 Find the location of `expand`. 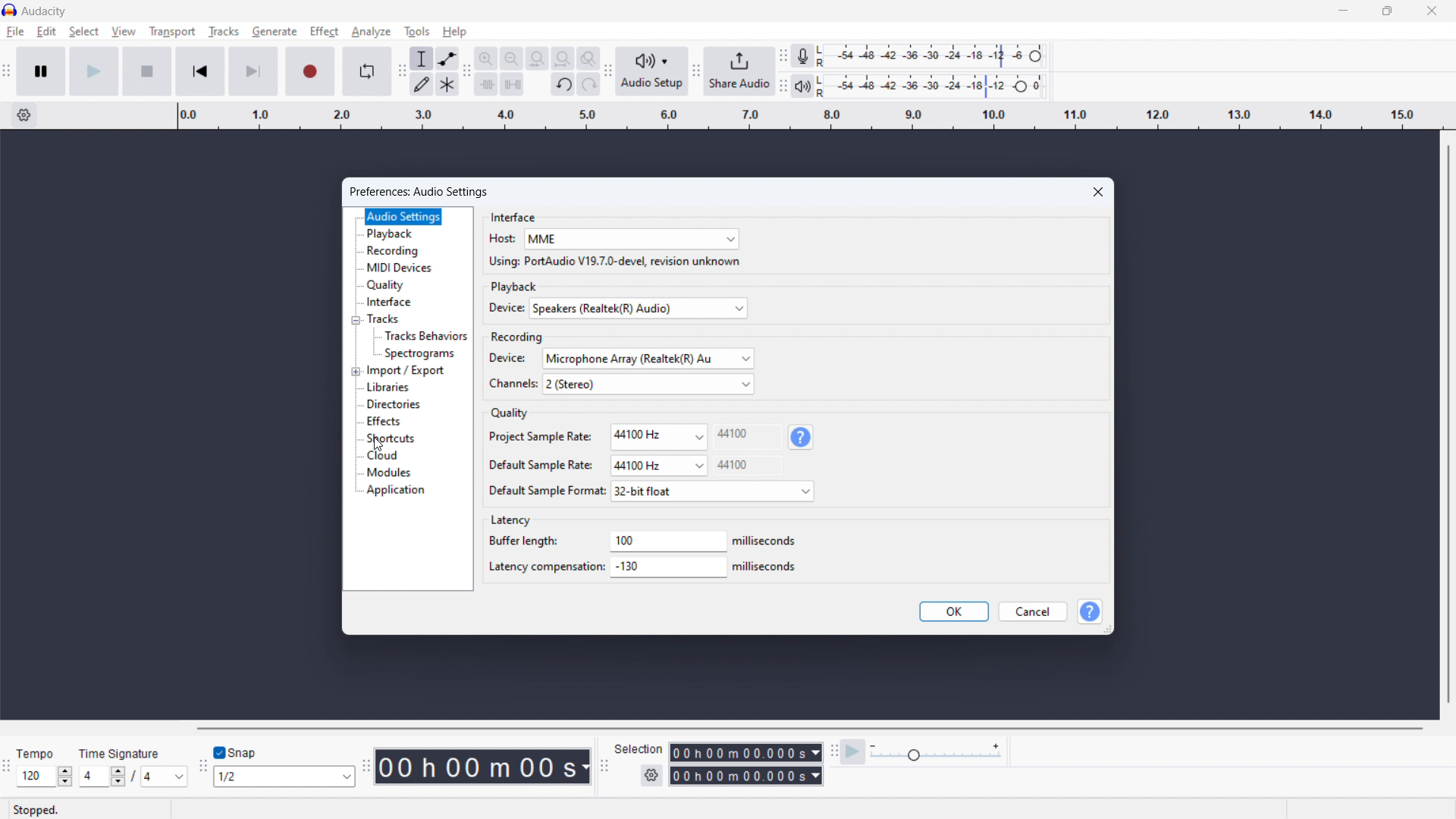

expand is located at coordinates (356, 372).